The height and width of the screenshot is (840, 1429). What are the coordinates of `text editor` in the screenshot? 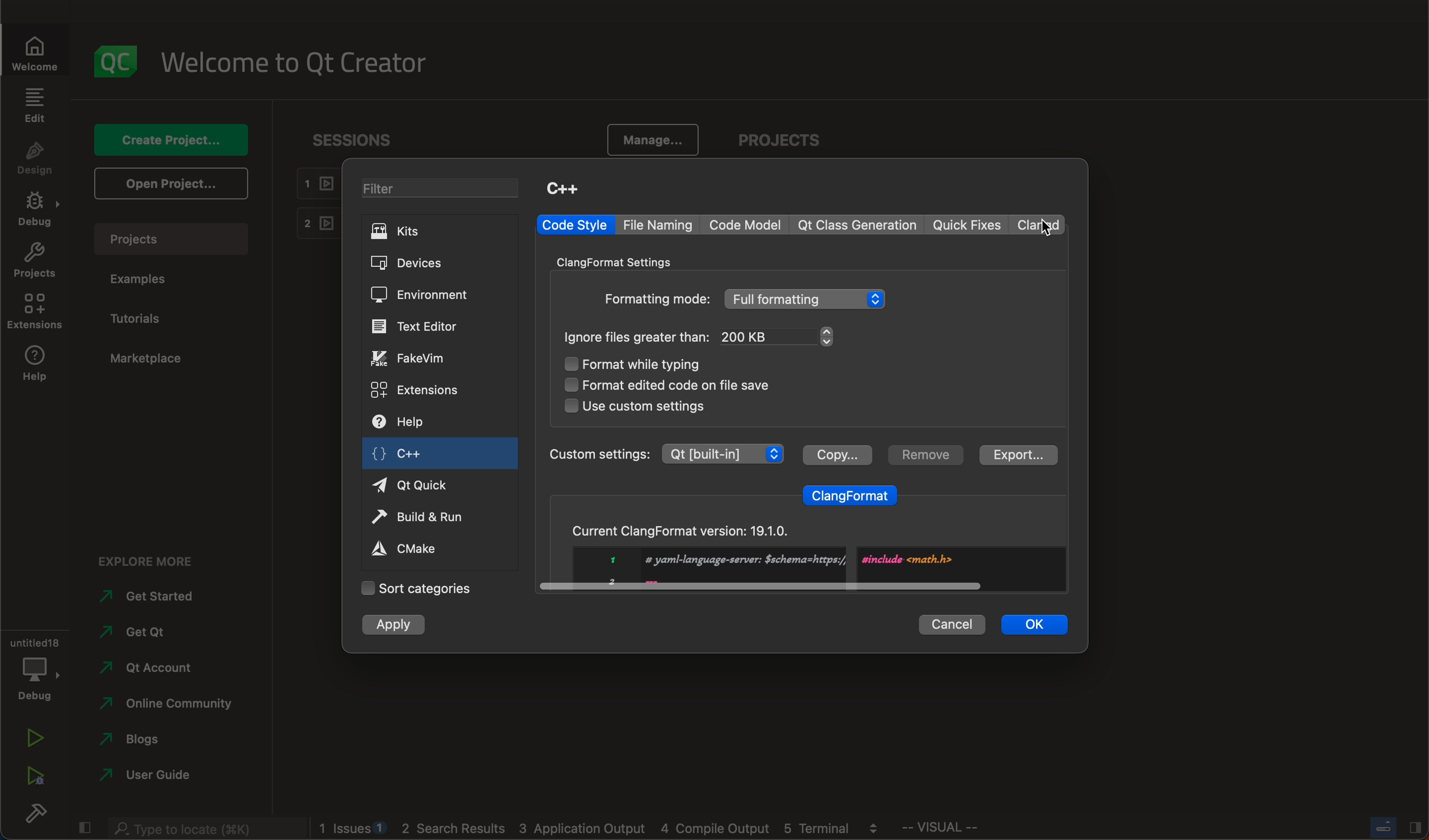 It's located at (431, 327).